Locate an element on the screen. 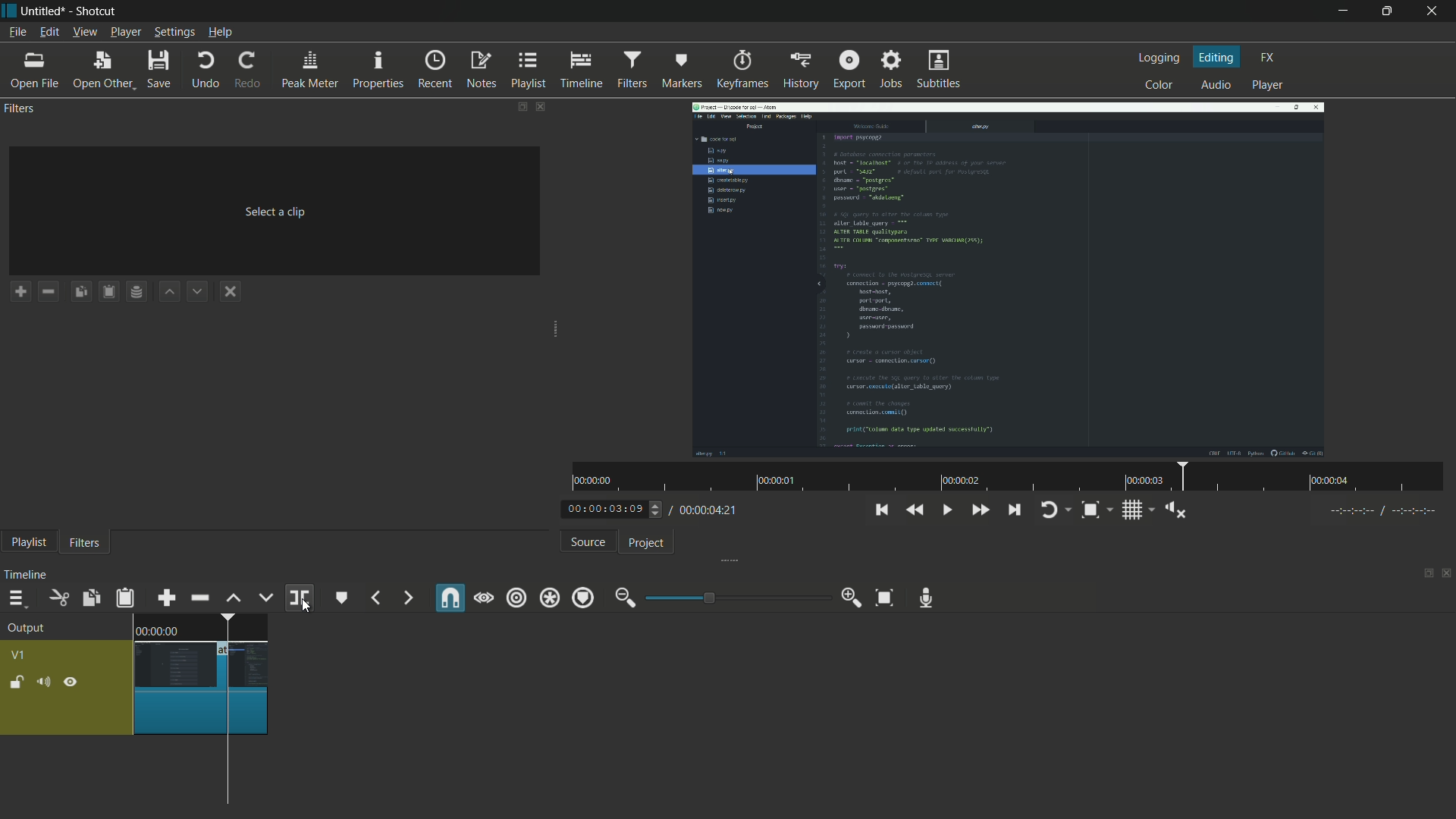  view menu is located at coordinates (86, 32).